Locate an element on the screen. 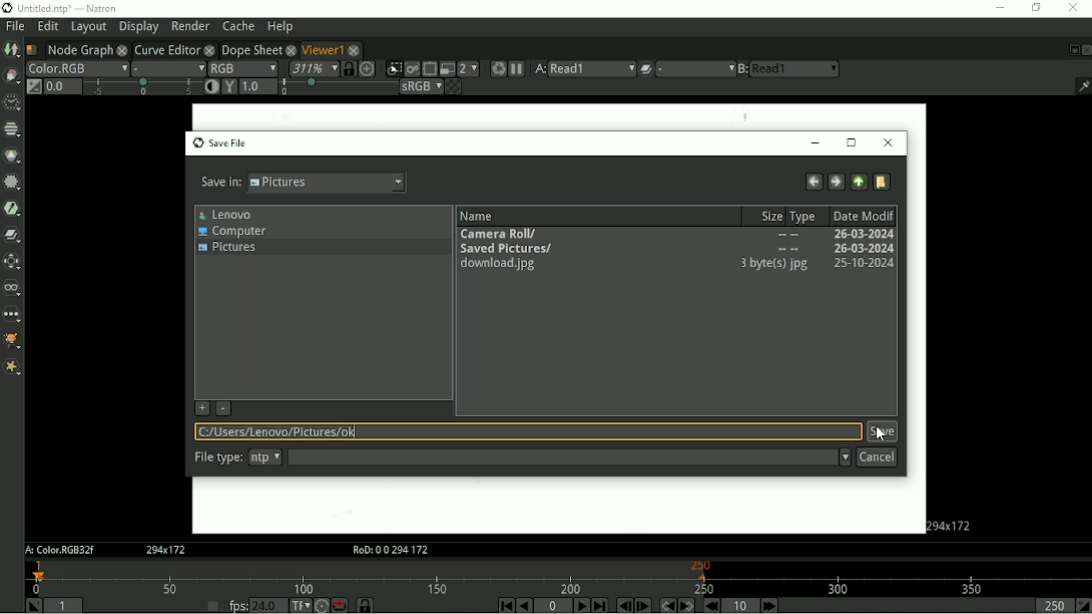 This screenshot has height=614, width=1092. Enables region of interest that limits the portion of the viewer that is kept udpdated  is located at coordinates (429, 68).